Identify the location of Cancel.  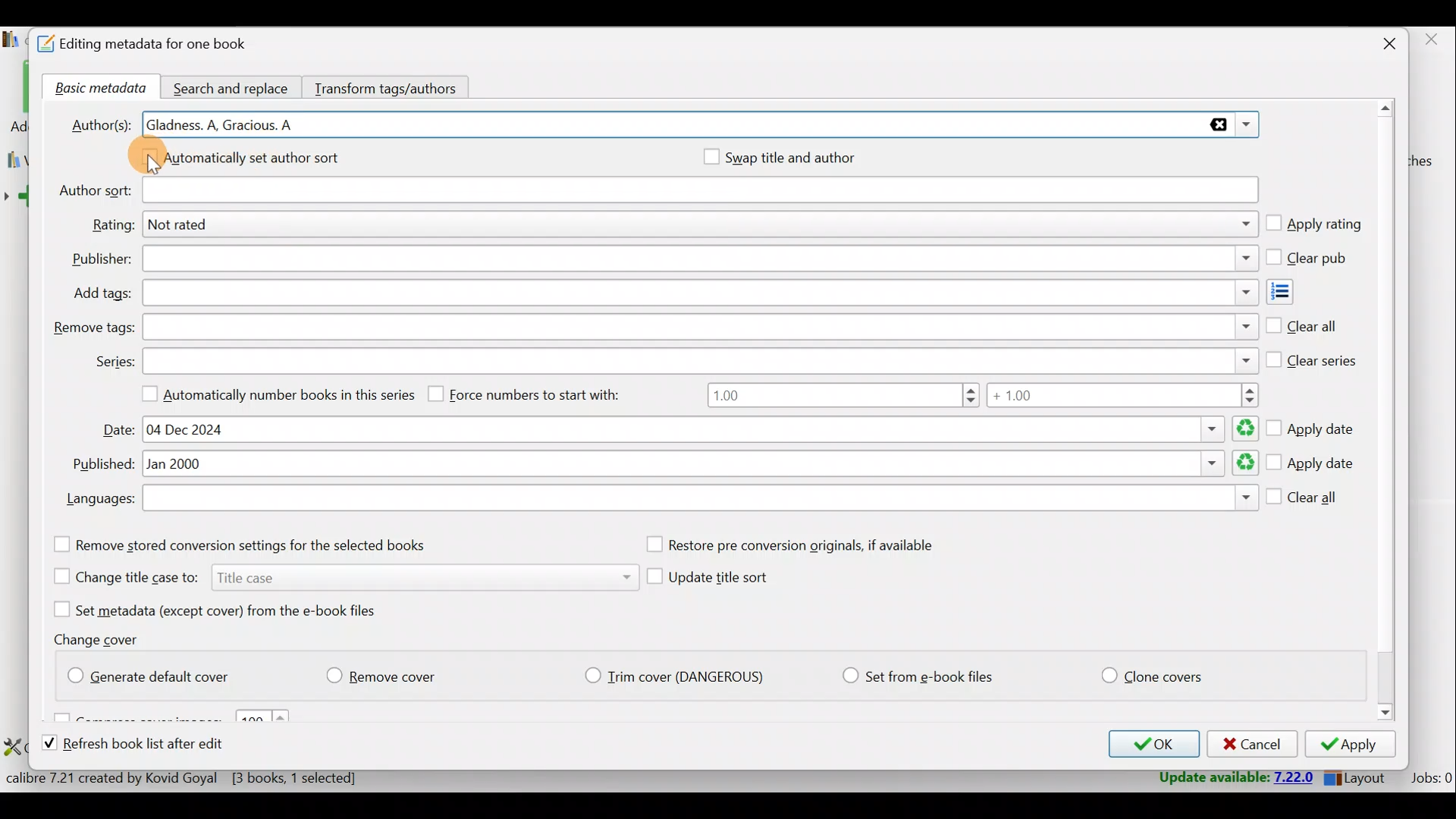
(1250, 745).